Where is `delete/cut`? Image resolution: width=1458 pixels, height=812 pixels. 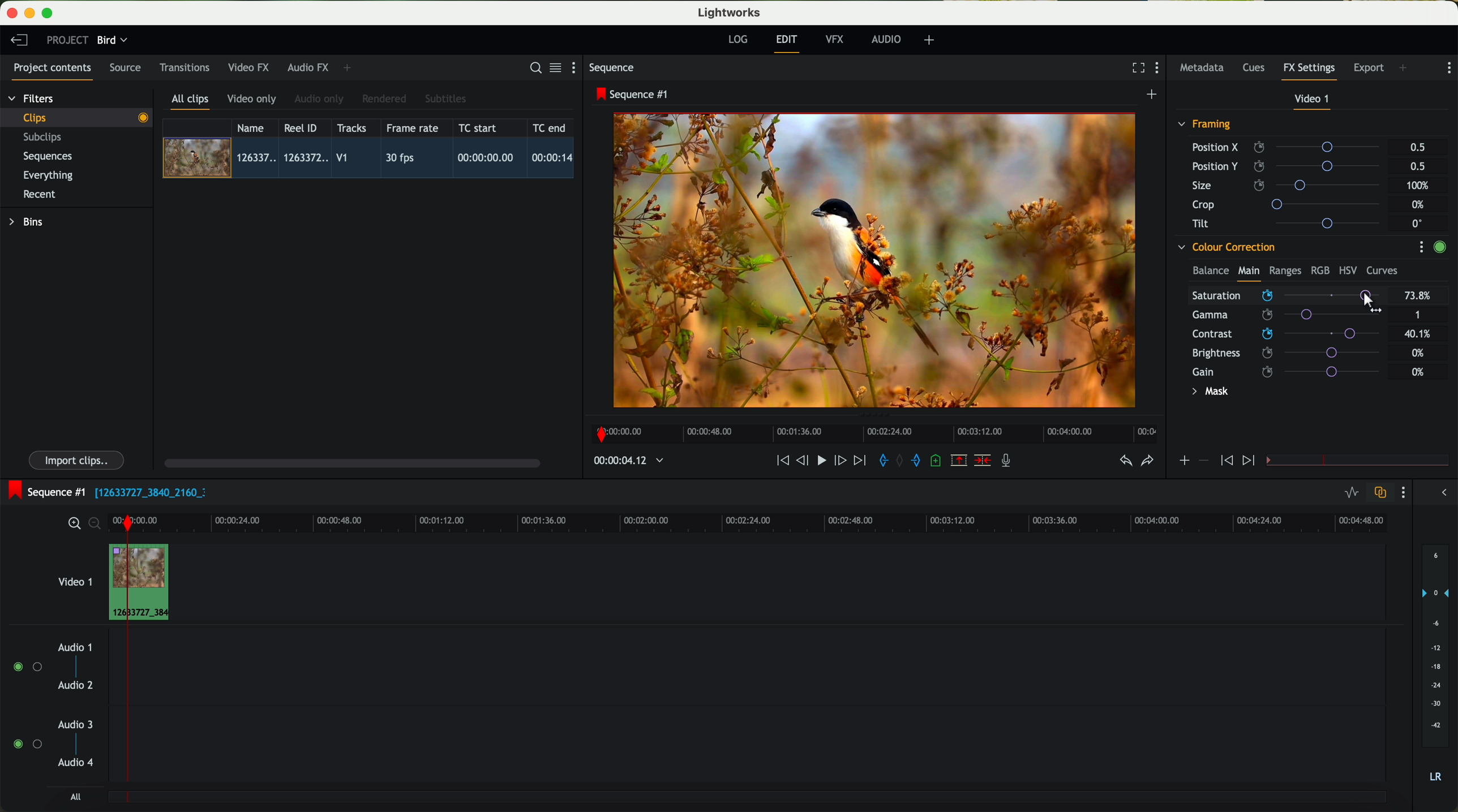
delete/cut is located at coordinates (983, 461).